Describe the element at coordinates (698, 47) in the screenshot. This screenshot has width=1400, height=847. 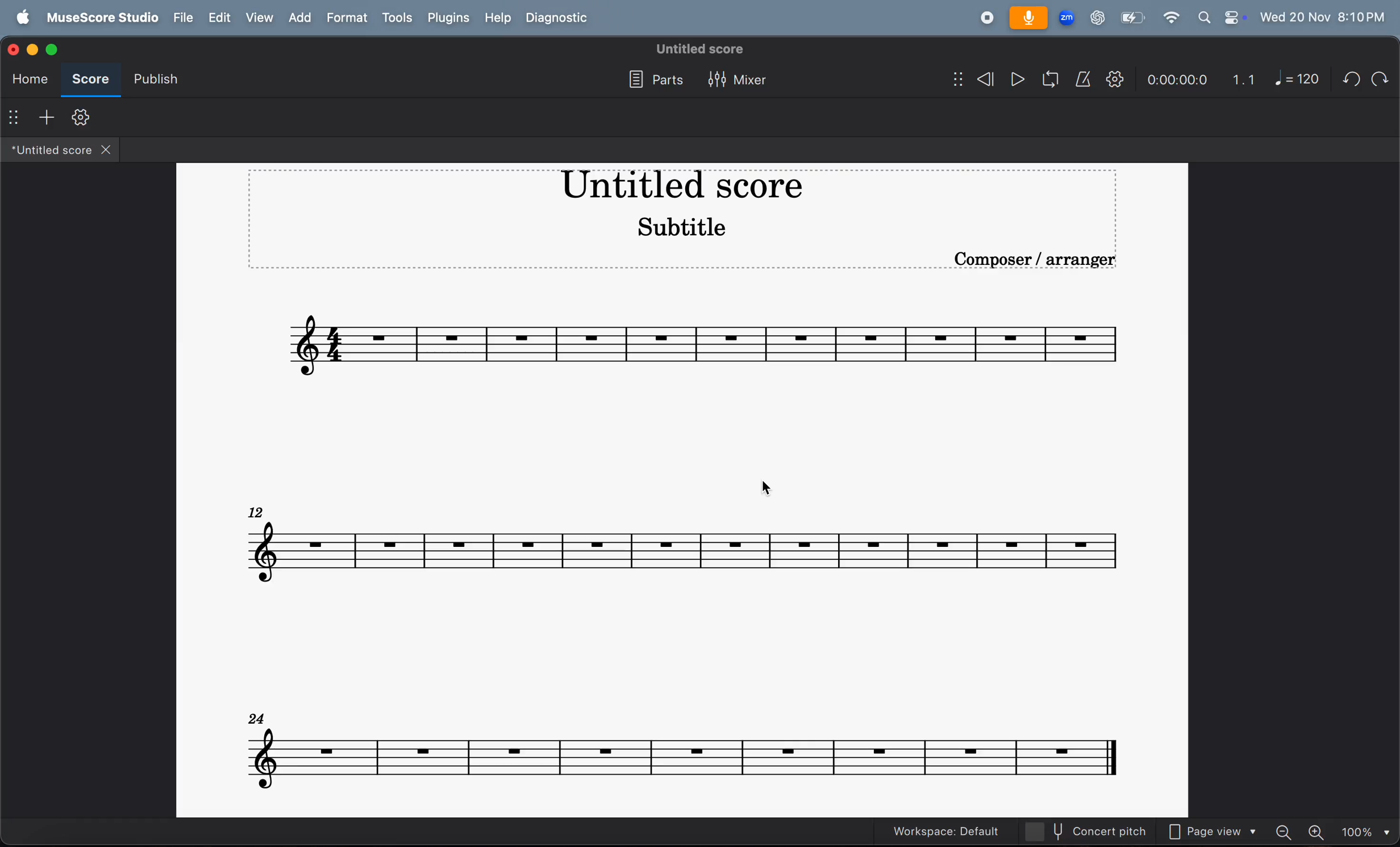
I see `untitled score` at that location.